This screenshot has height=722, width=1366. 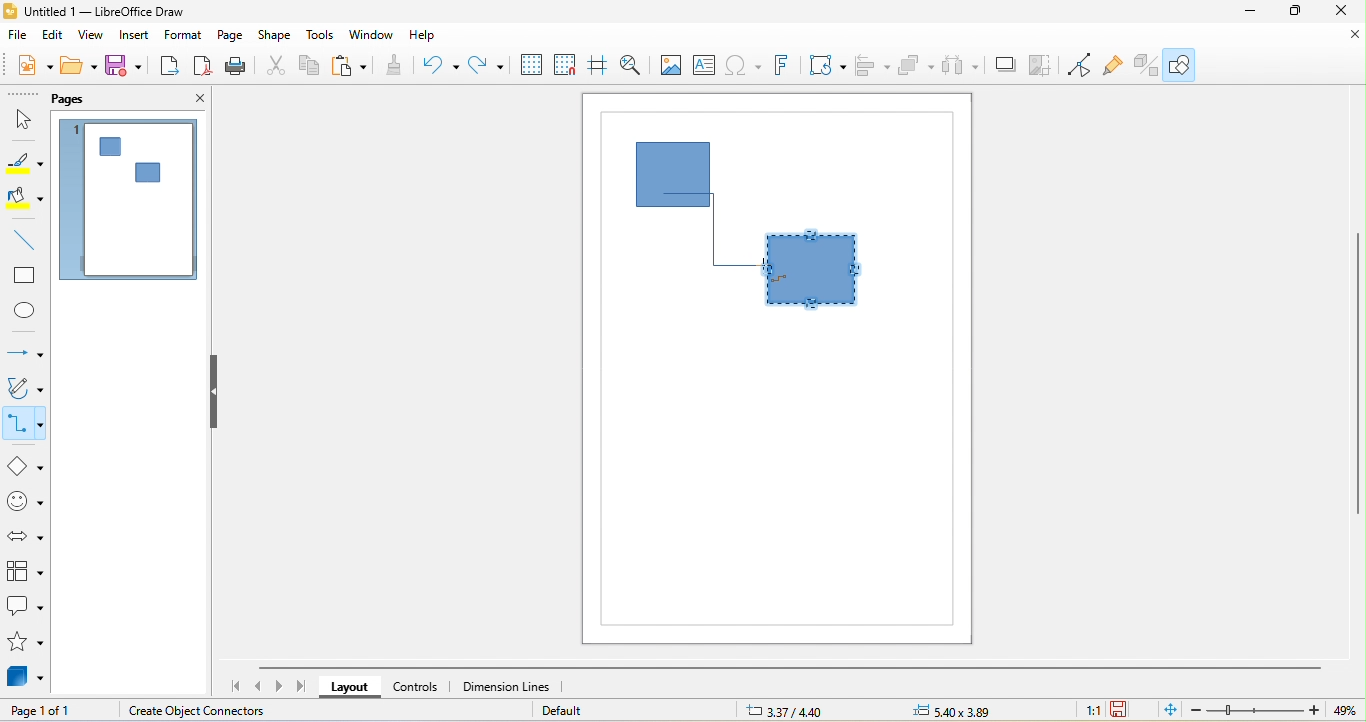 I want to click on controls, so click(x=417, y=689).